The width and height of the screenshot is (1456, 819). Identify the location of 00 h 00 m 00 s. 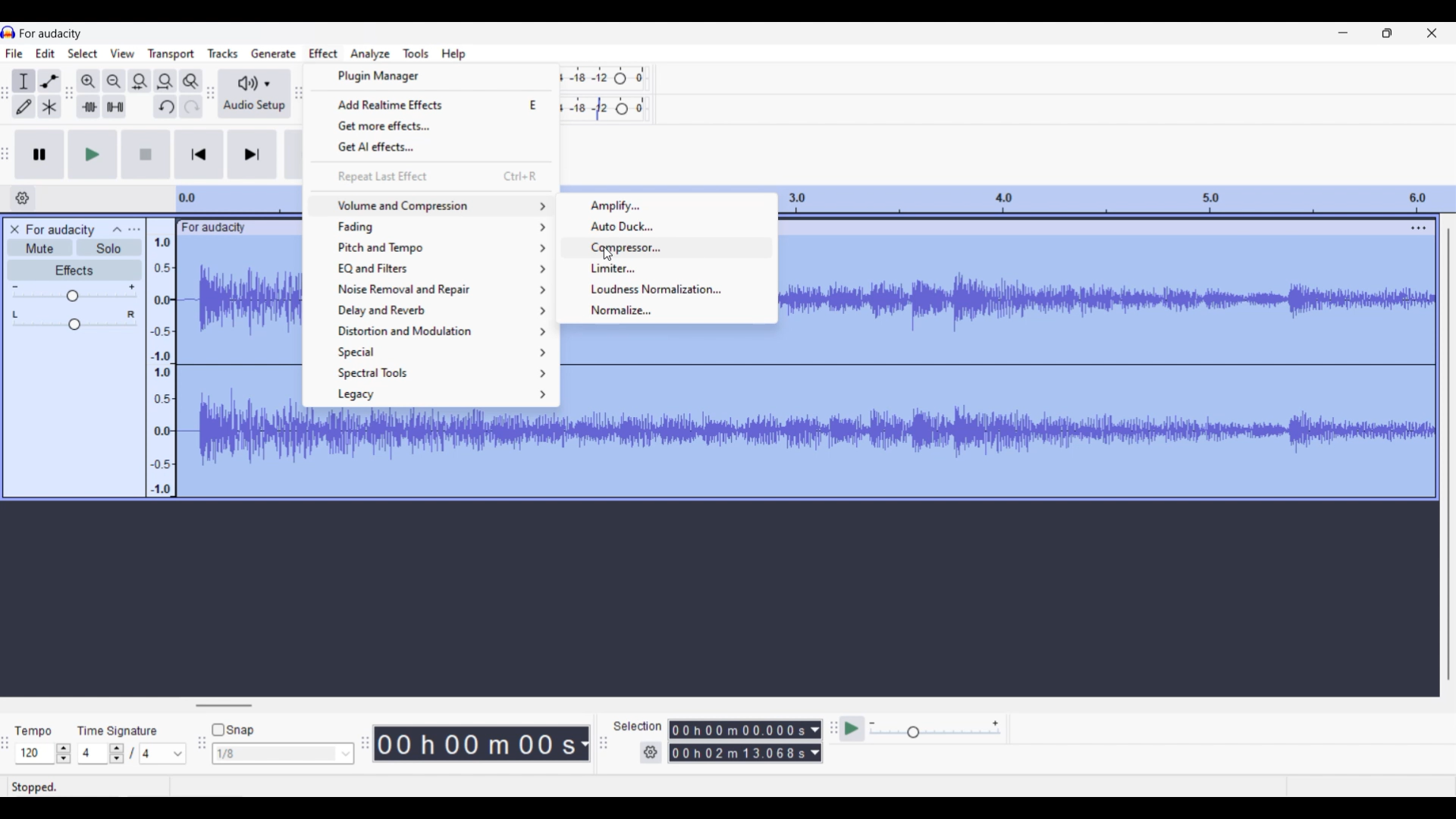
(475, 743).